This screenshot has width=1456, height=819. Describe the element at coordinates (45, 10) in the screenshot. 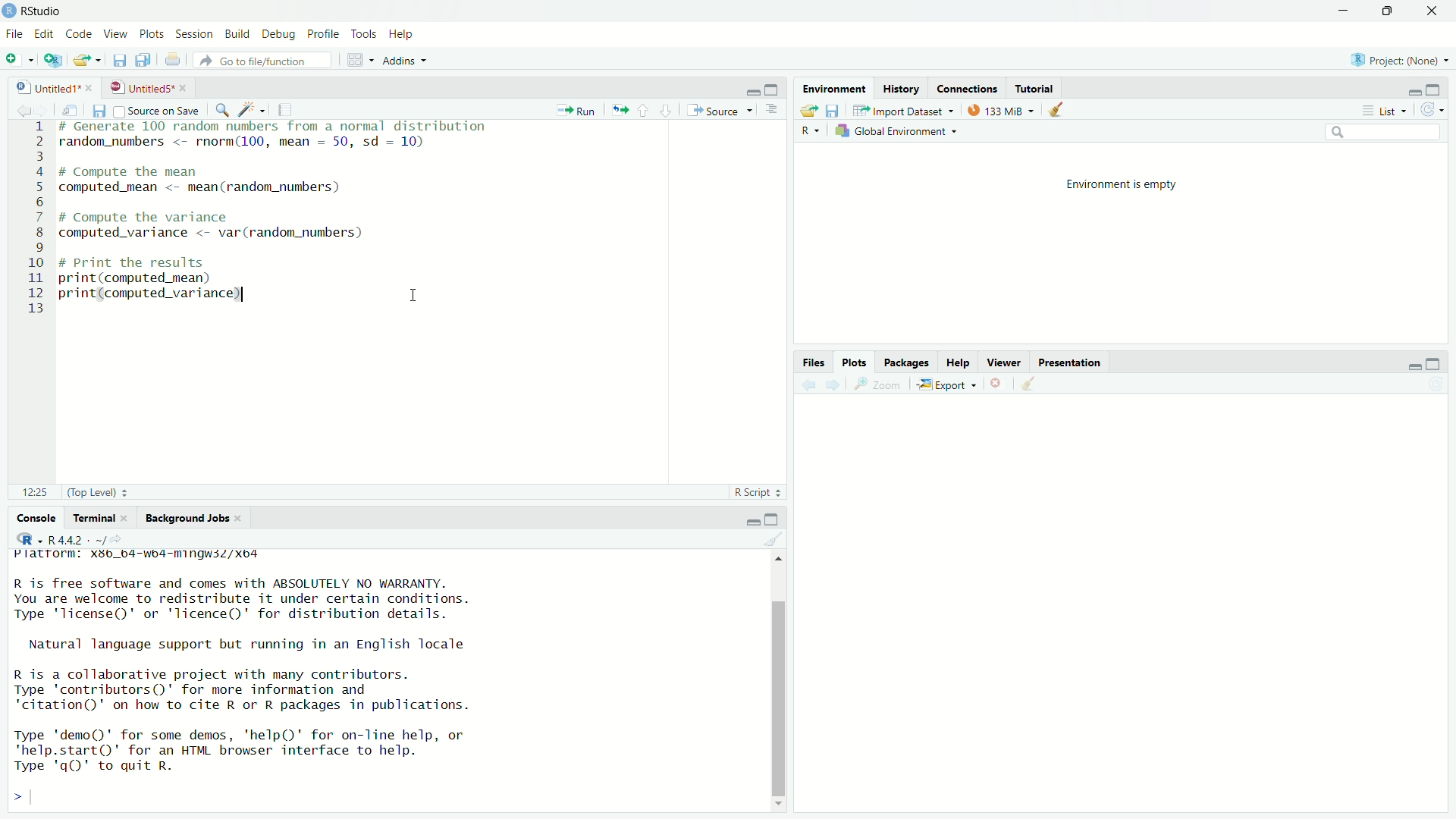

I see `RStudio` at that location.